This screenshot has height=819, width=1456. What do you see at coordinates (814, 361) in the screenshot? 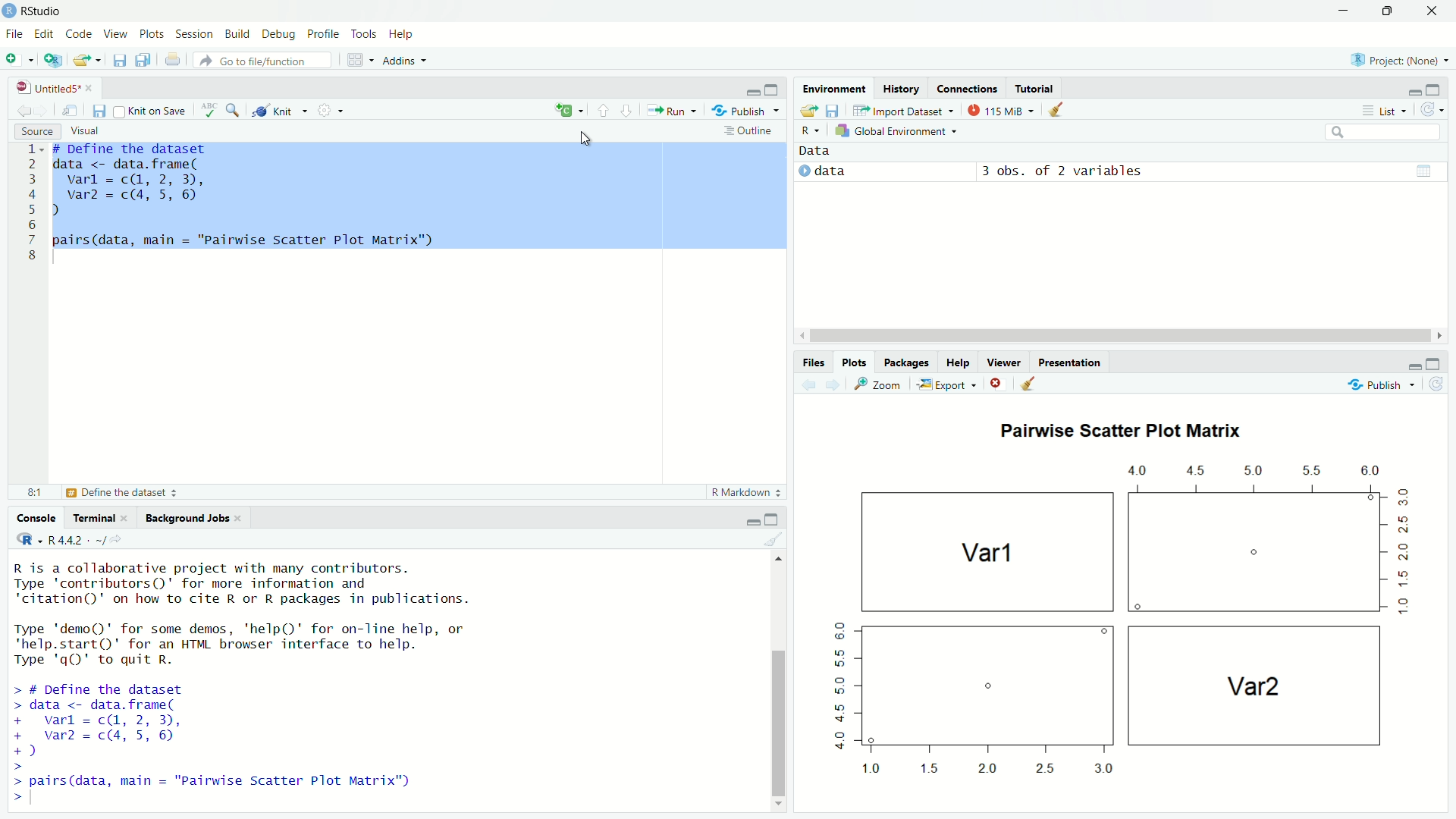
I see `Files` at bounding box center [814, 361].